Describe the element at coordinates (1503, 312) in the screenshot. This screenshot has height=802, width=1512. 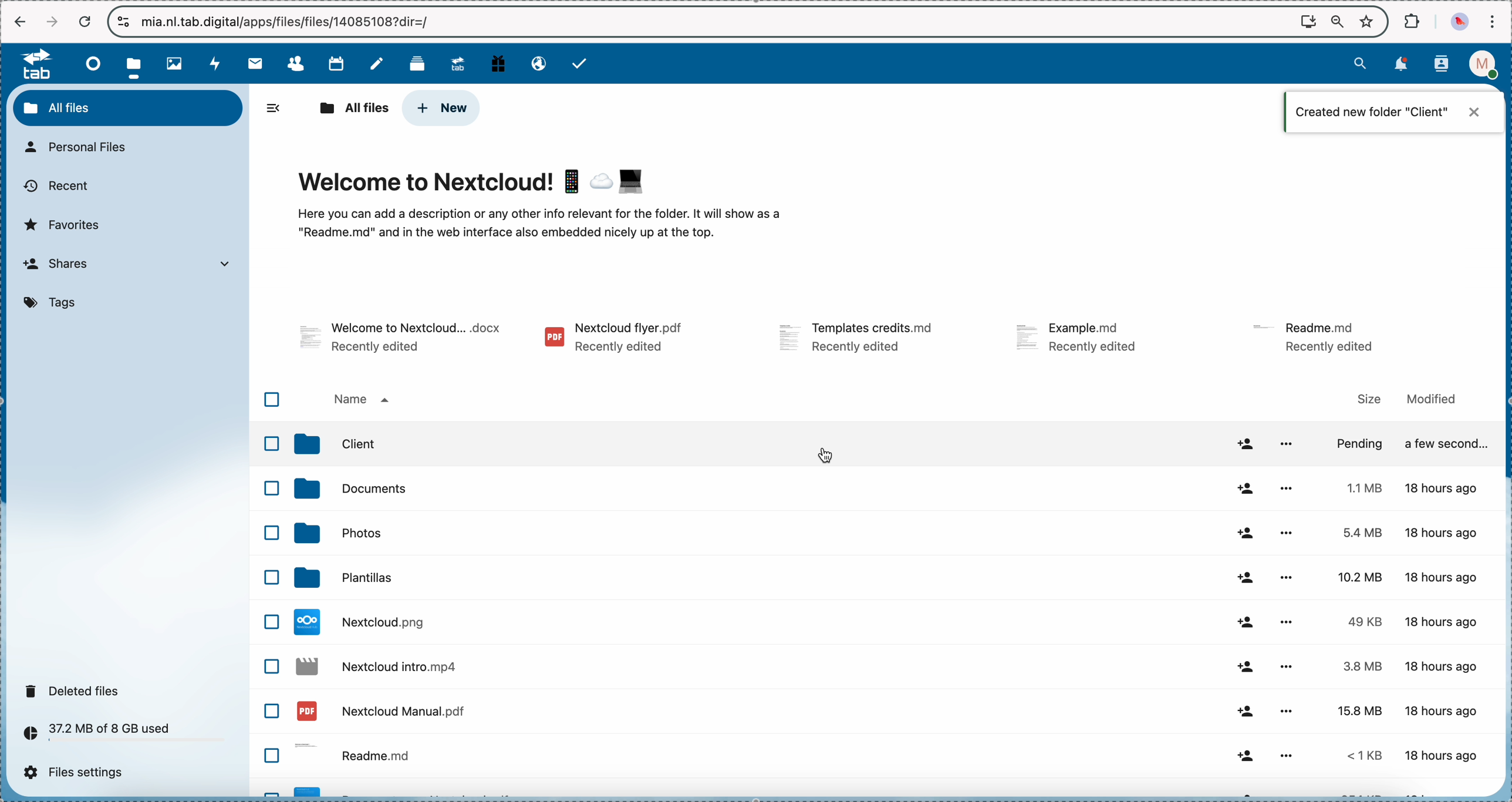
I see `scroll bar` at that location.